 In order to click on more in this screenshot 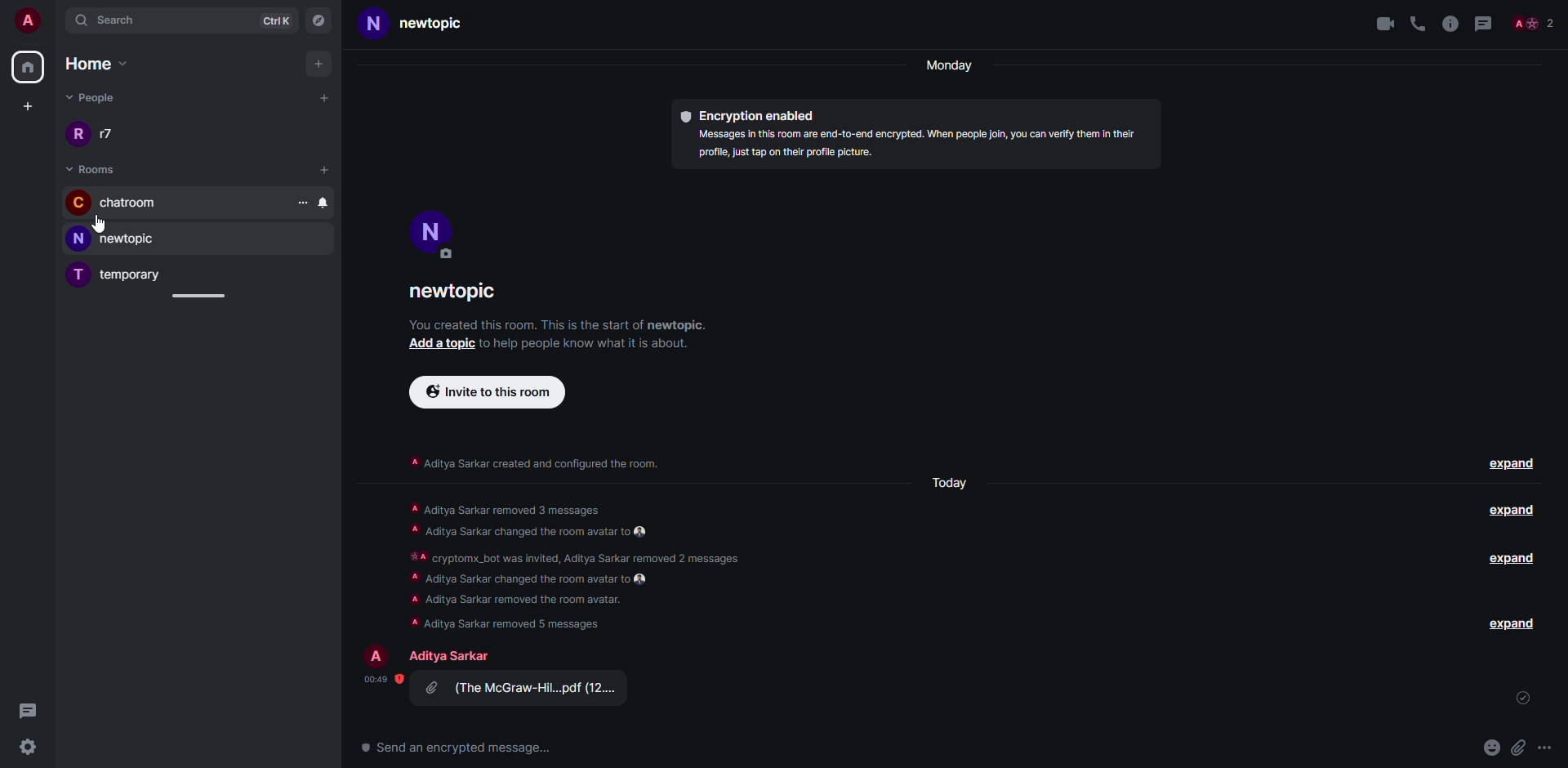, I will do `click(303, 199)`.